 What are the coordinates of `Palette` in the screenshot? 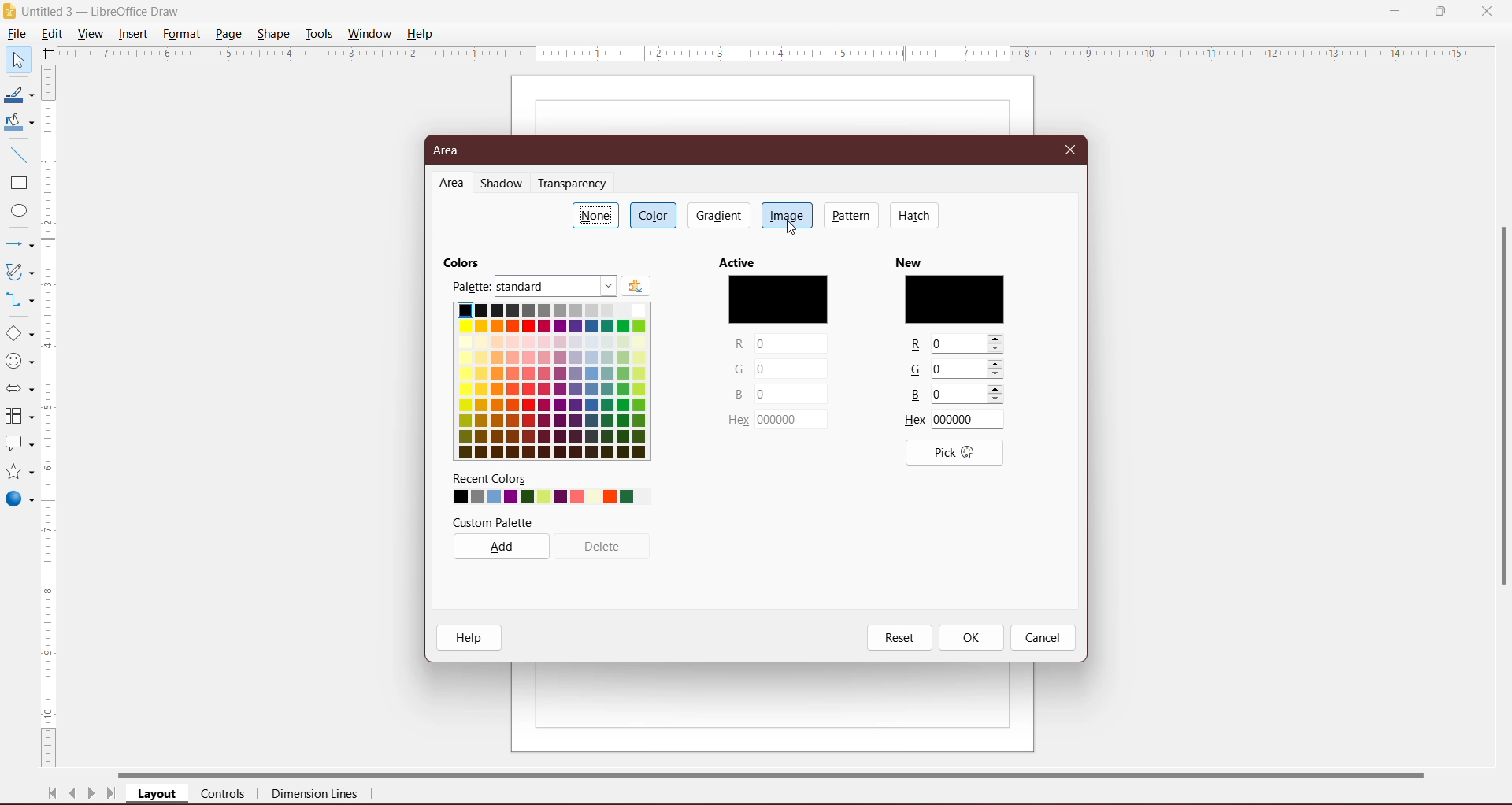 It's located at (470, 287).